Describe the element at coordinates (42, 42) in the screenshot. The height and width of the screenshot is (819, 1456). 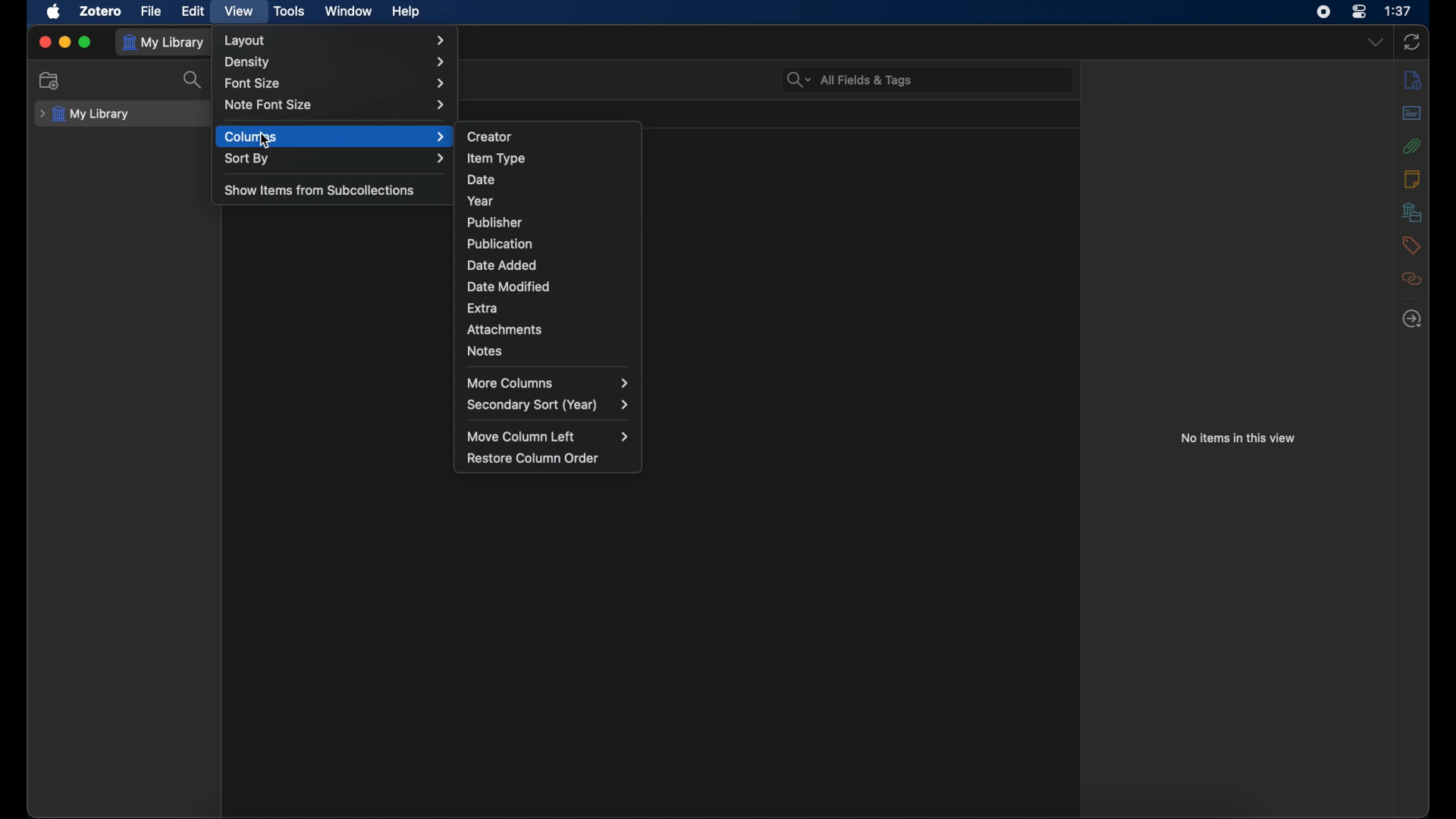
I see `close` at that location.